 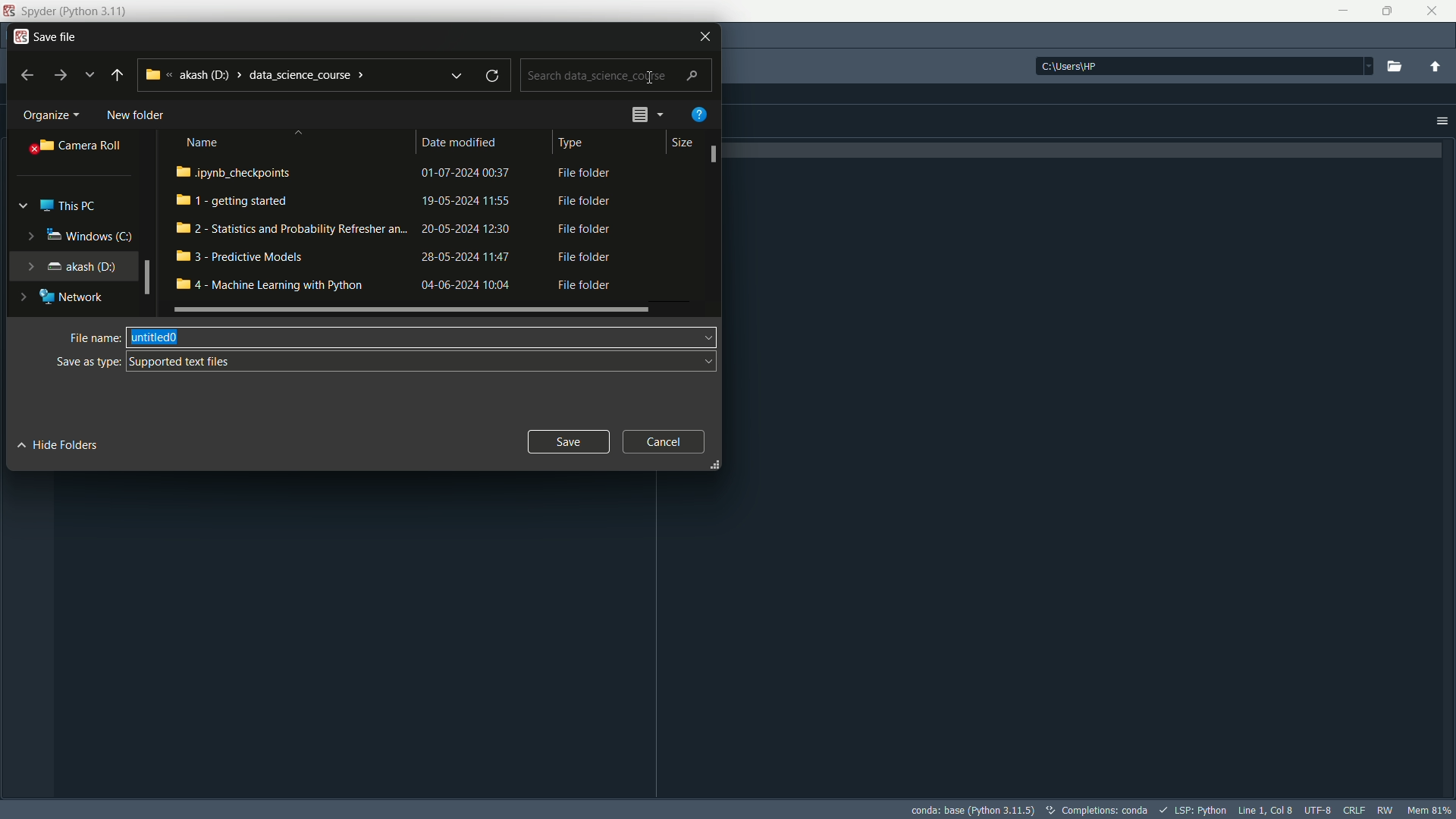 What do you see at coordinates (90, 76) in the screenshot?
I see `recent locations` at bounding box center [90, 76].